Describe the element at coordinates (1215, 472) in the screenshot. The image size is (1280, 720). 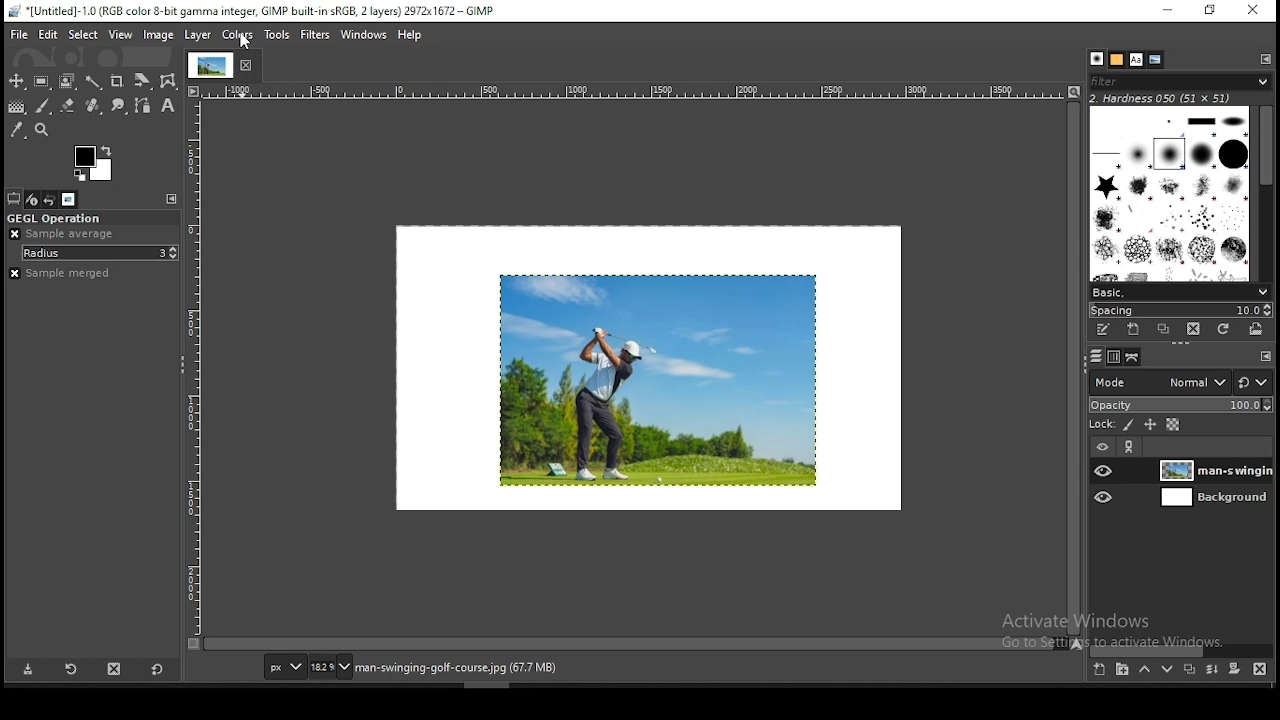
I see `layer ` at that location.